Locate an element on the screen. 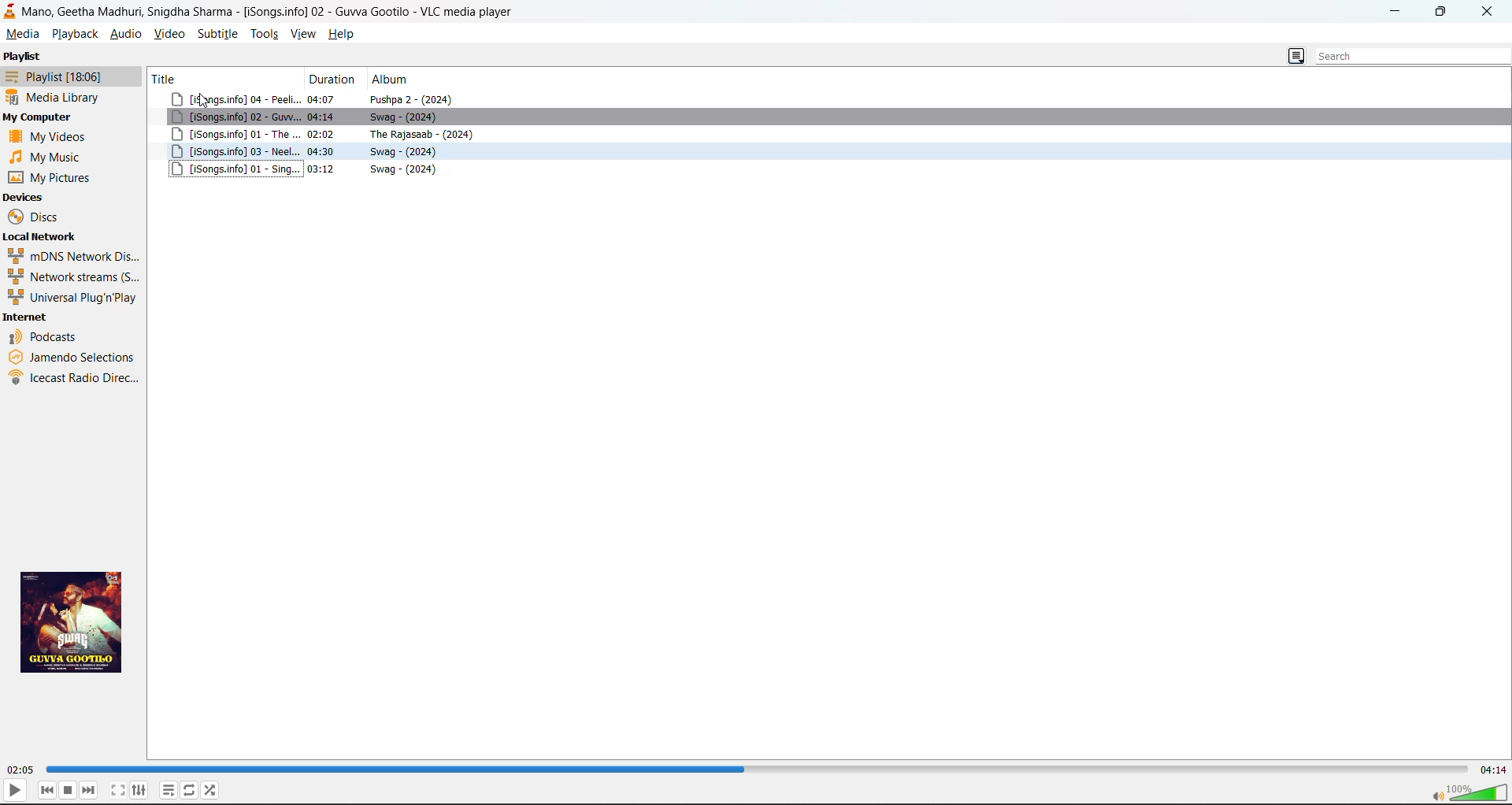 Image resolution: width=1512 pixels, height=805 pixels. videos is located at coordinates (51, 135).